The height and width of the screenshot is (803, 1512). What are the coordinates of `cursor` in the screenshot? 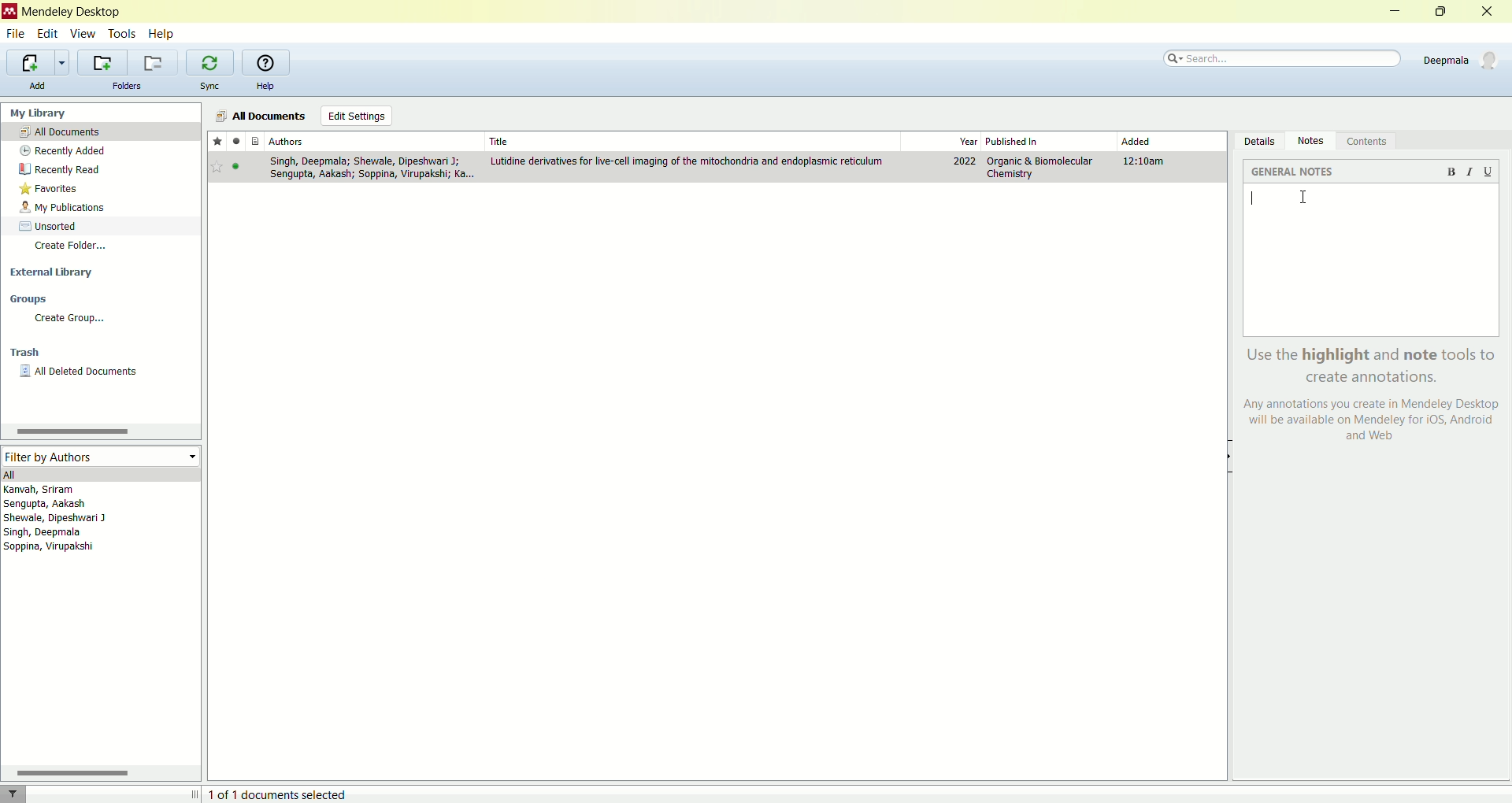 It's located at (1303, 202).